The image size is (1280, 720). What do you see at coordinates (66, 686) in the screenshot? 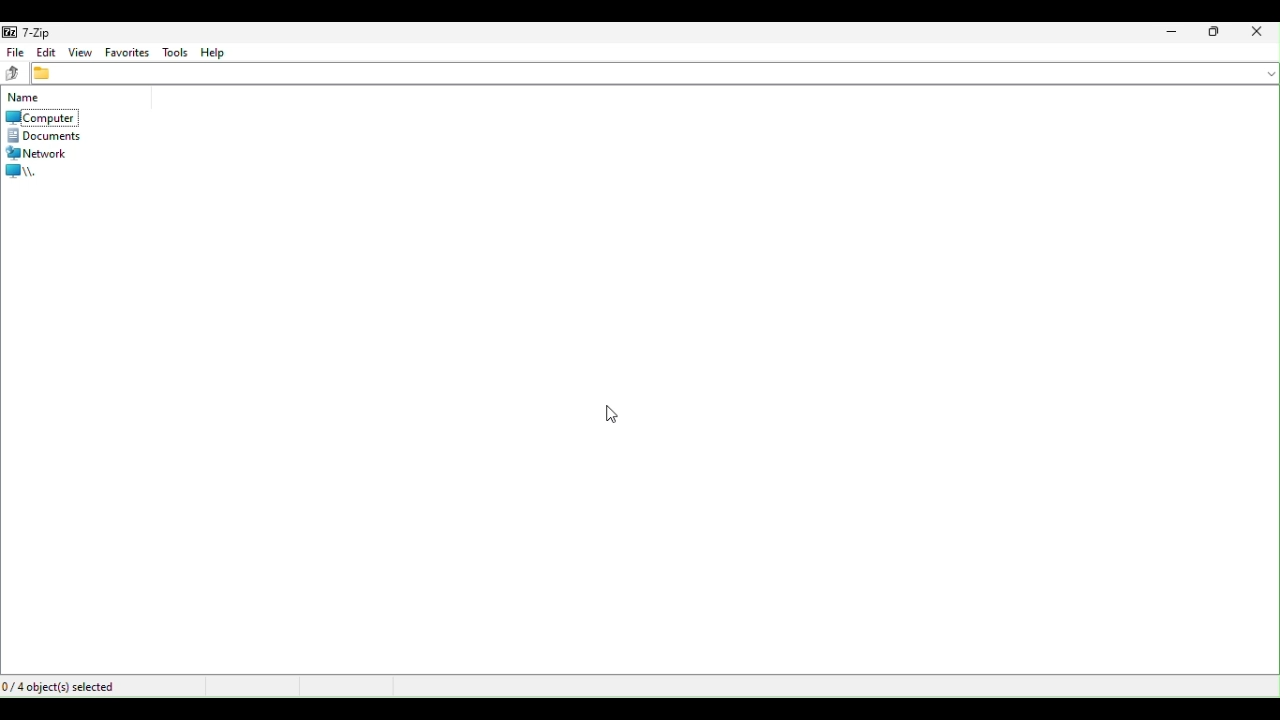
I see `Object selected` at bounding box center [66, 686].